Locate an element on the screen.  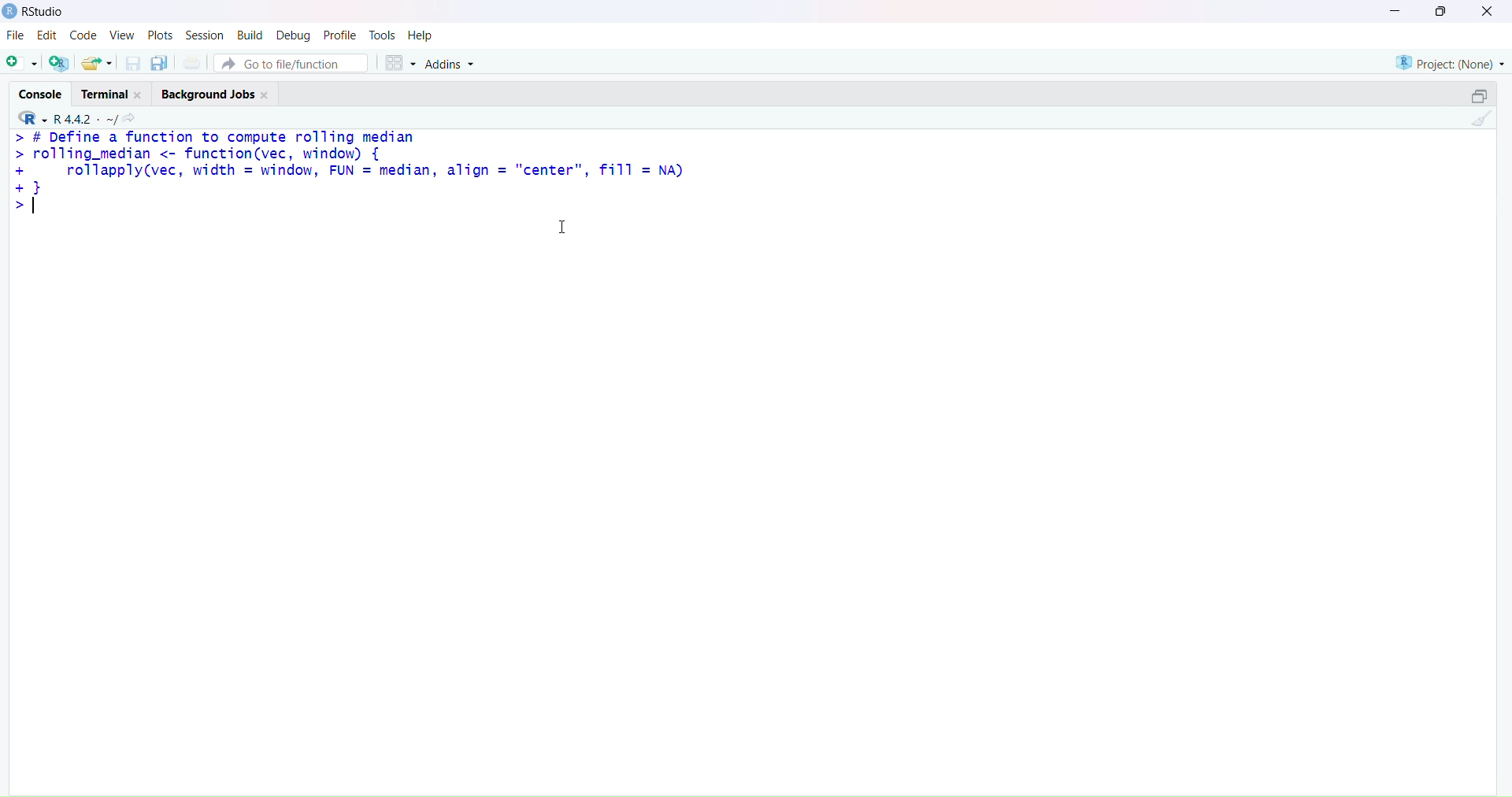
close is located at coordinates (137, 95).